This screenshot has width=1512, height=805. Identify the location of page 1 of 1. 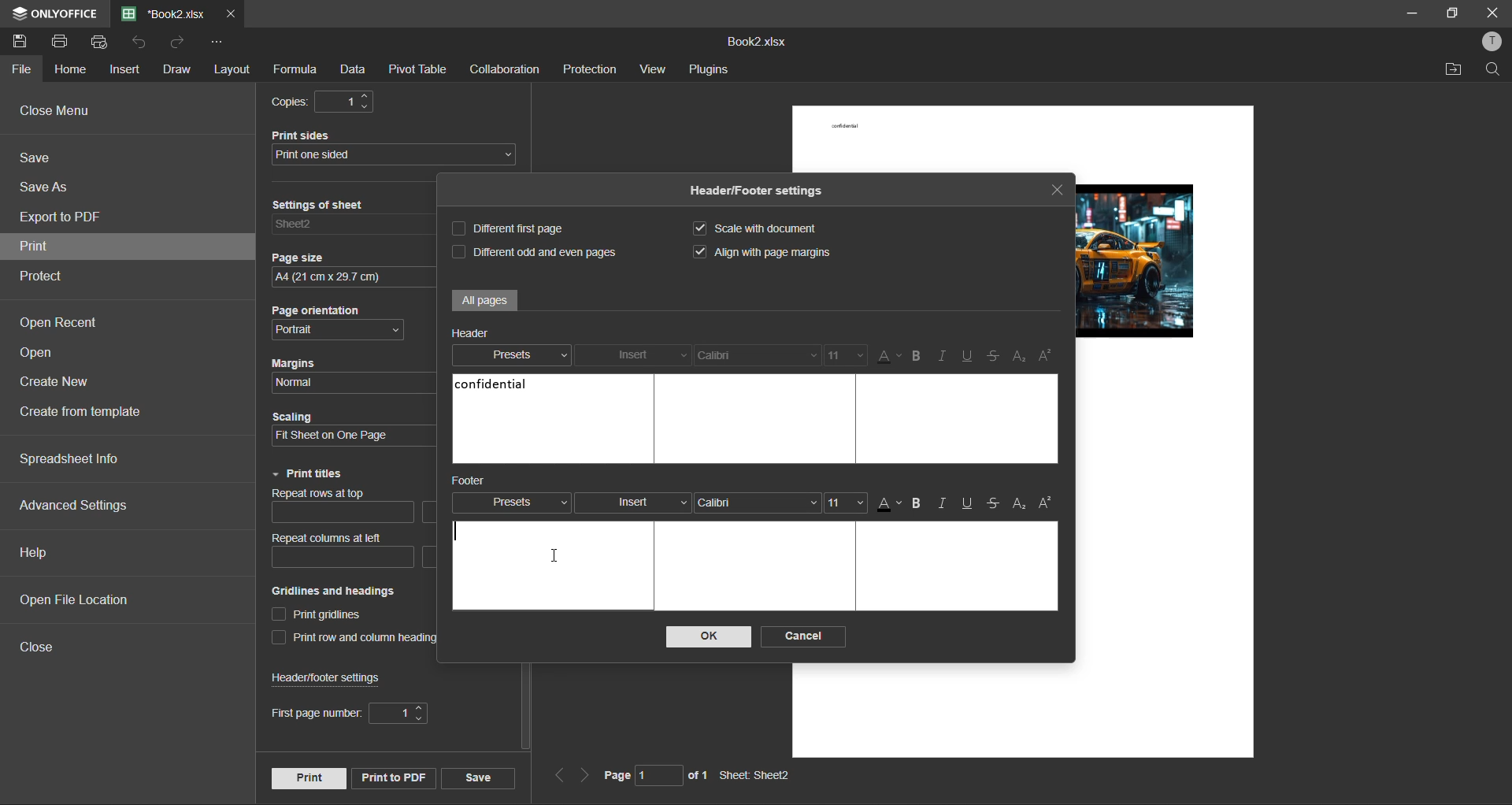
(656, 777).